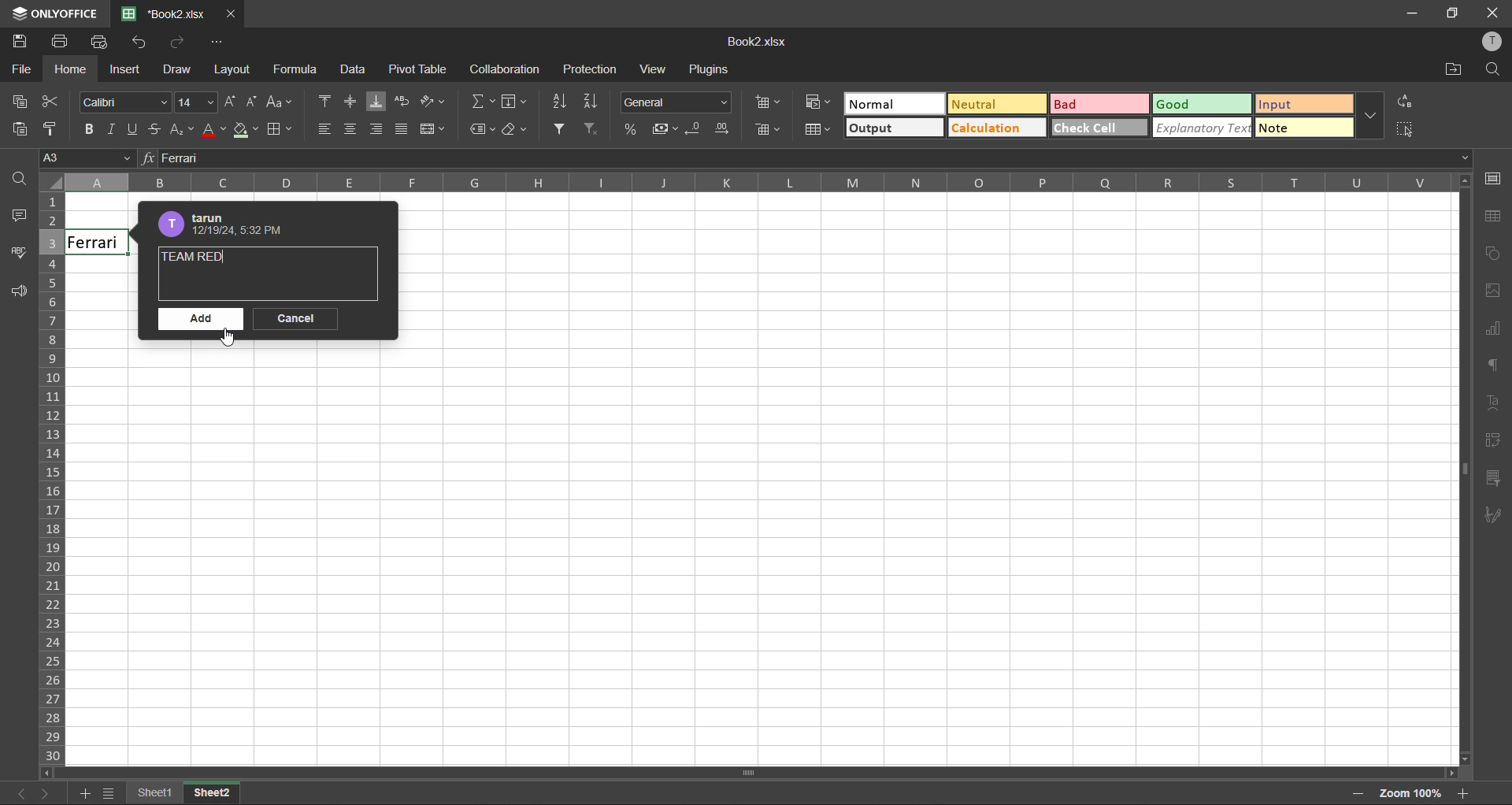 The height and width of the screenshot is (805, 1512). I want to click on open location, so click(1455, 70).